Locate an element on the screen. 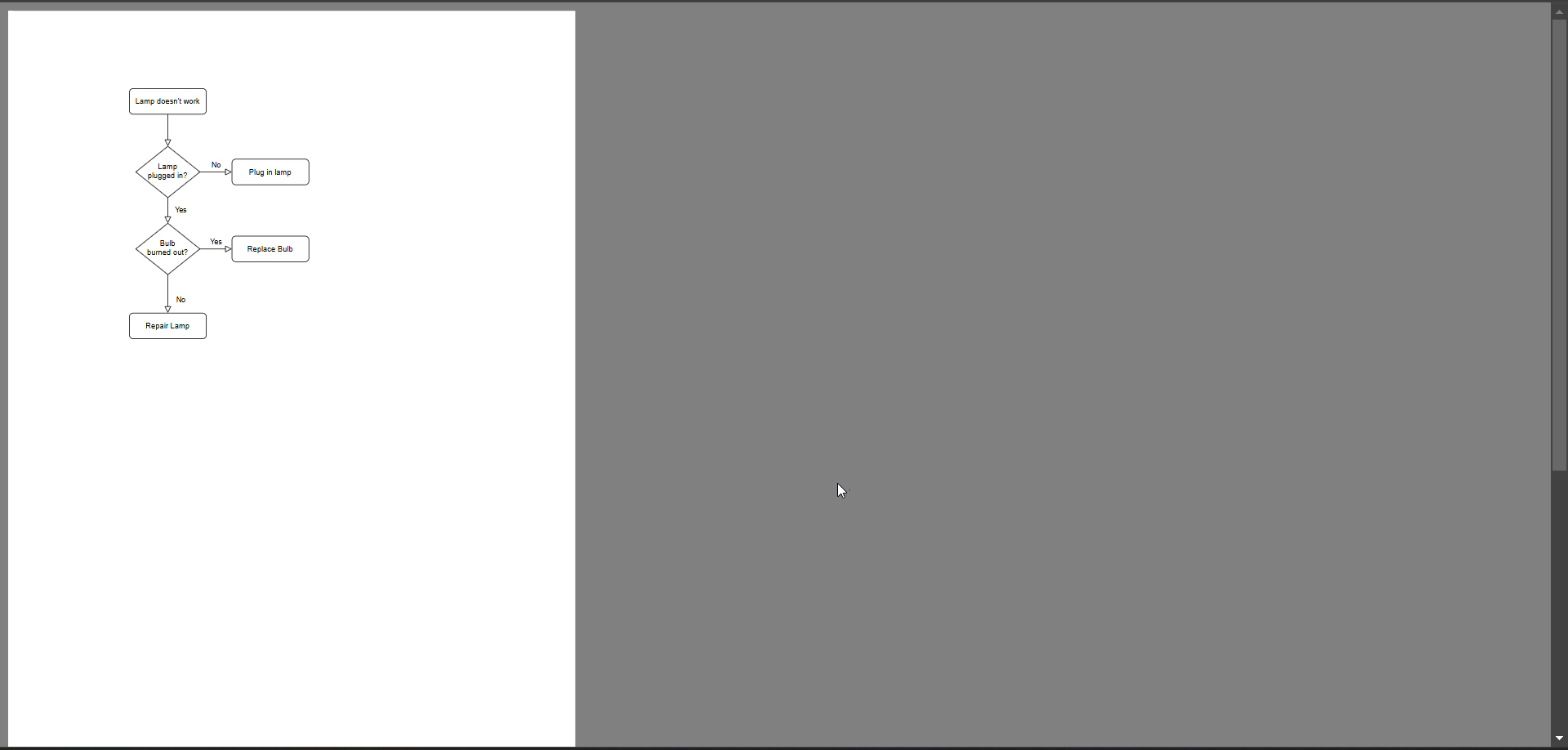 This screenshot has width=1568, height=750. cursor is located at coordinates (844, 493).